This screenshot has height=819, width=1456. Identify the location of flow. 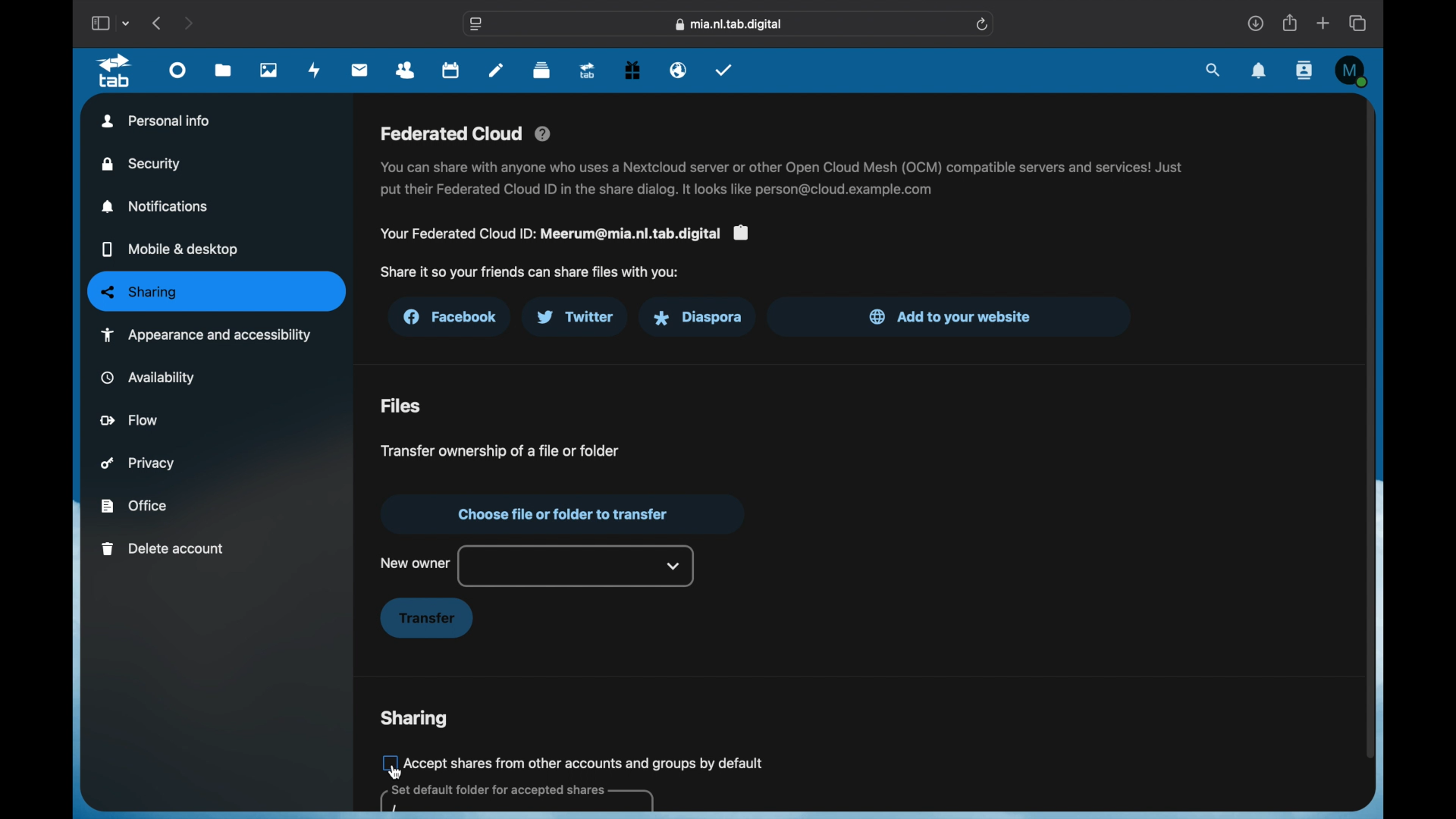
(130, 419).